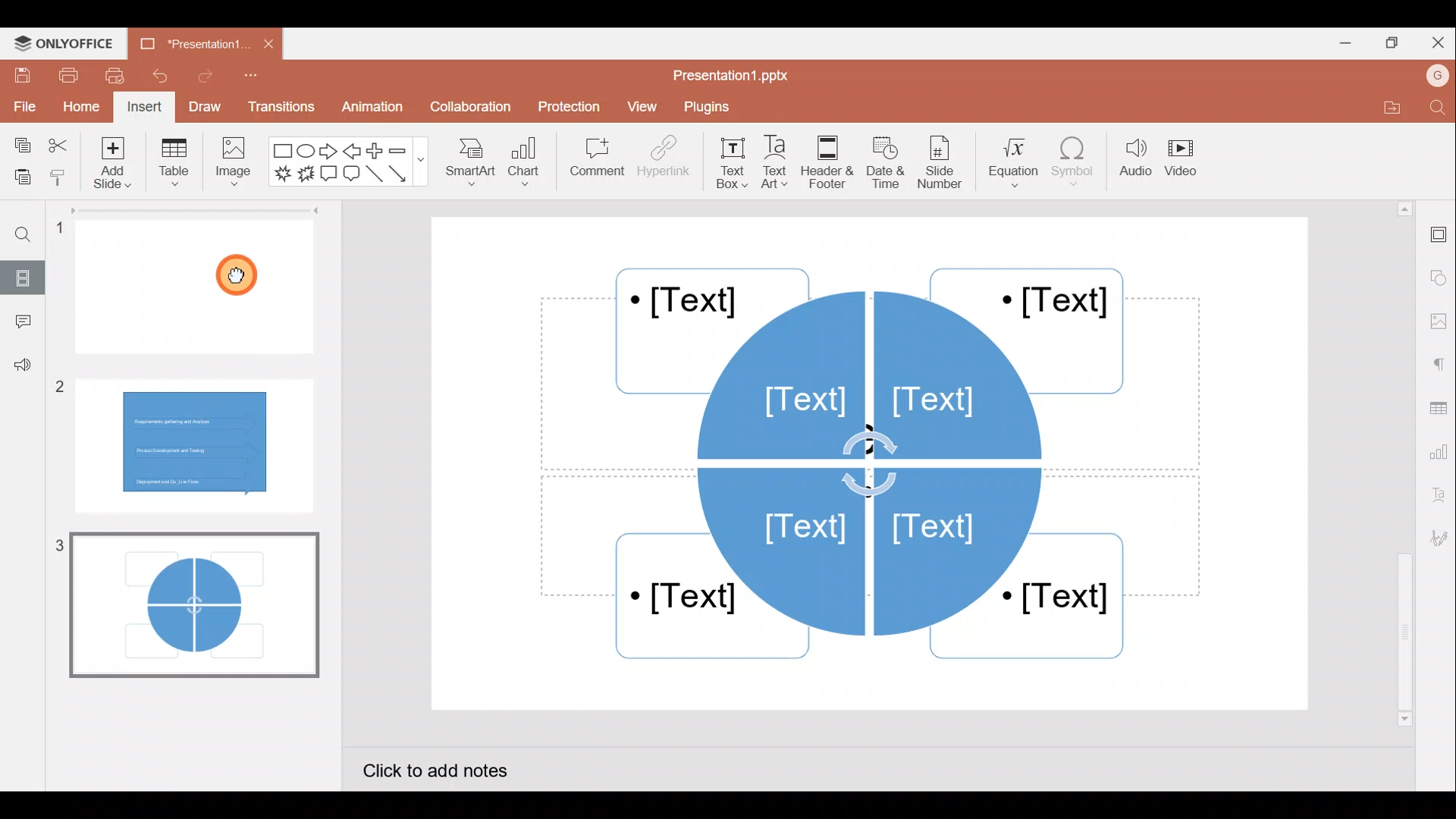 The height and width of the screenshot is (819, 1456). What do you see at coordinates (374, 174) in the screenshot?
I see `Line` at bounding box center [374, 174].